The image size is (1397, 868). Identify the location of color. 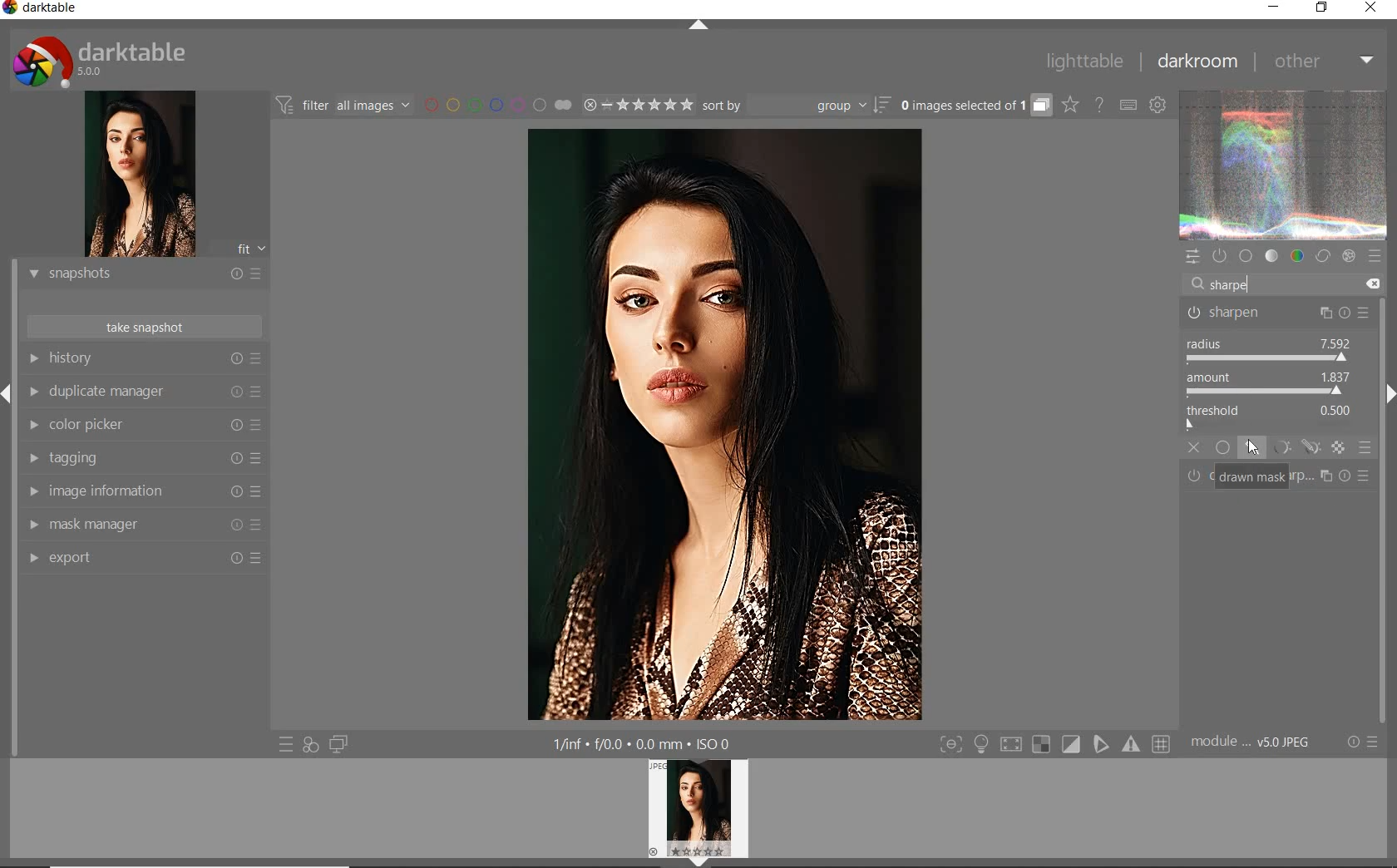
(1296, 257).